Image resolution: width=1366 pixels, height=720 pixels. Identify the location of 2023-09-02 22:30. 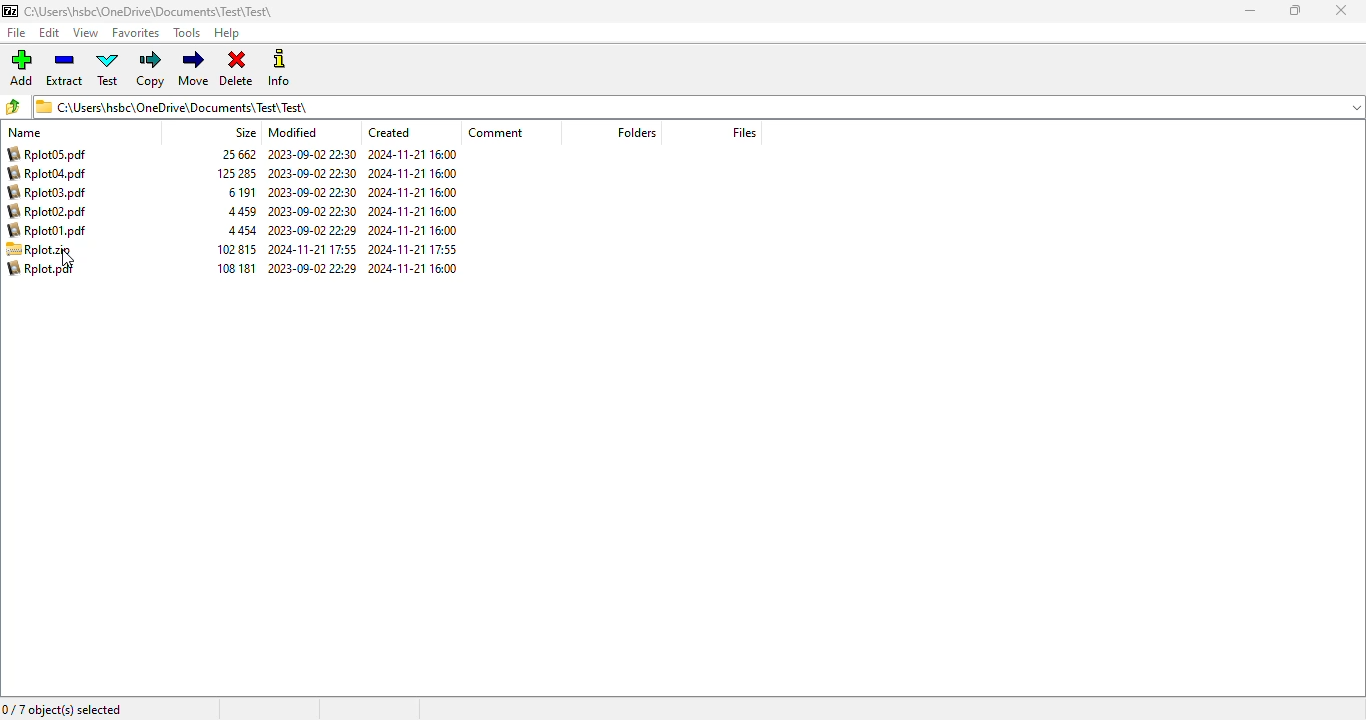
(312, 193).